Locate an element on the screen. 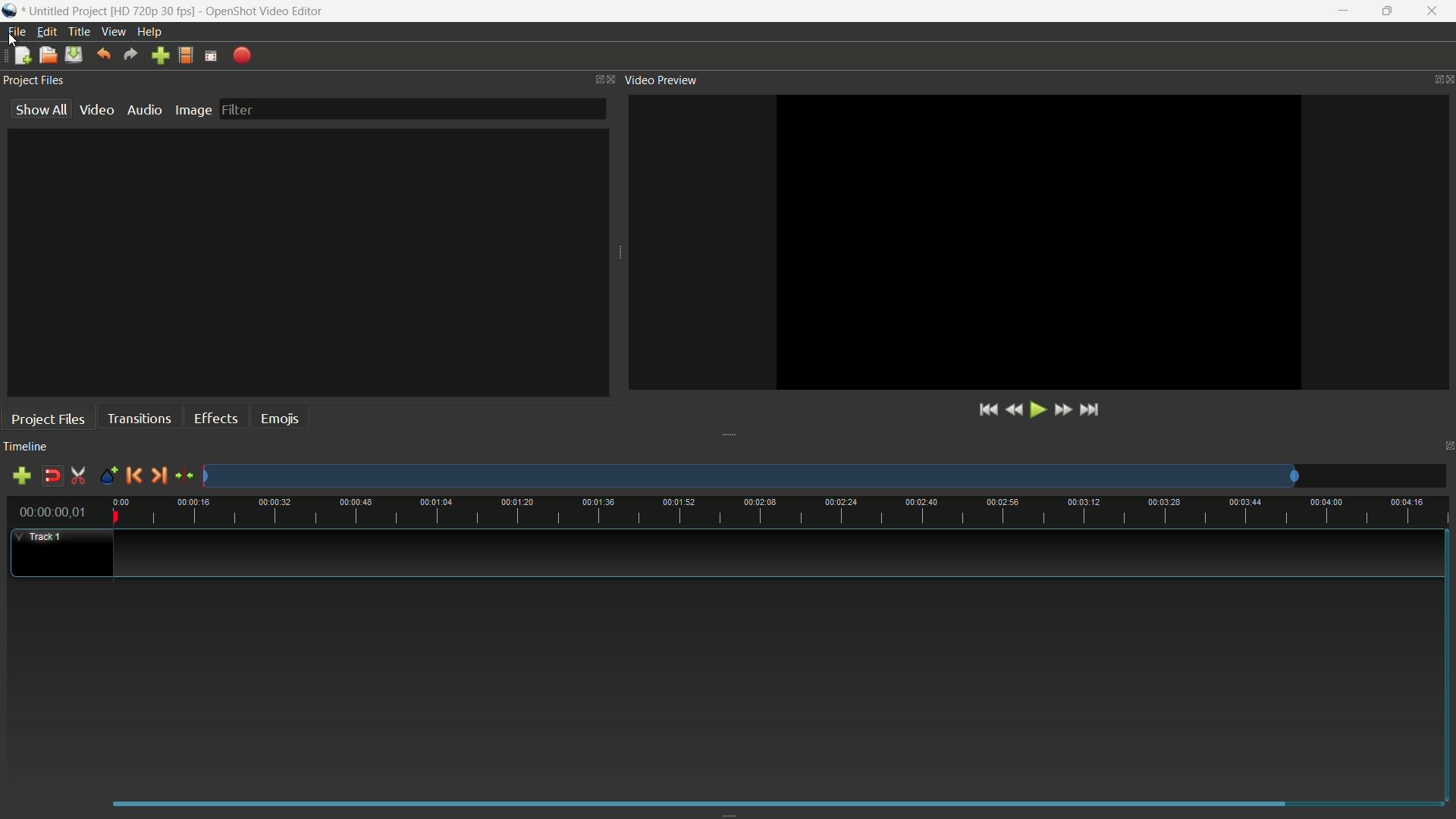 The height and width of the screenshot is (819, 1456). redo is located at coordinates (133, 54).